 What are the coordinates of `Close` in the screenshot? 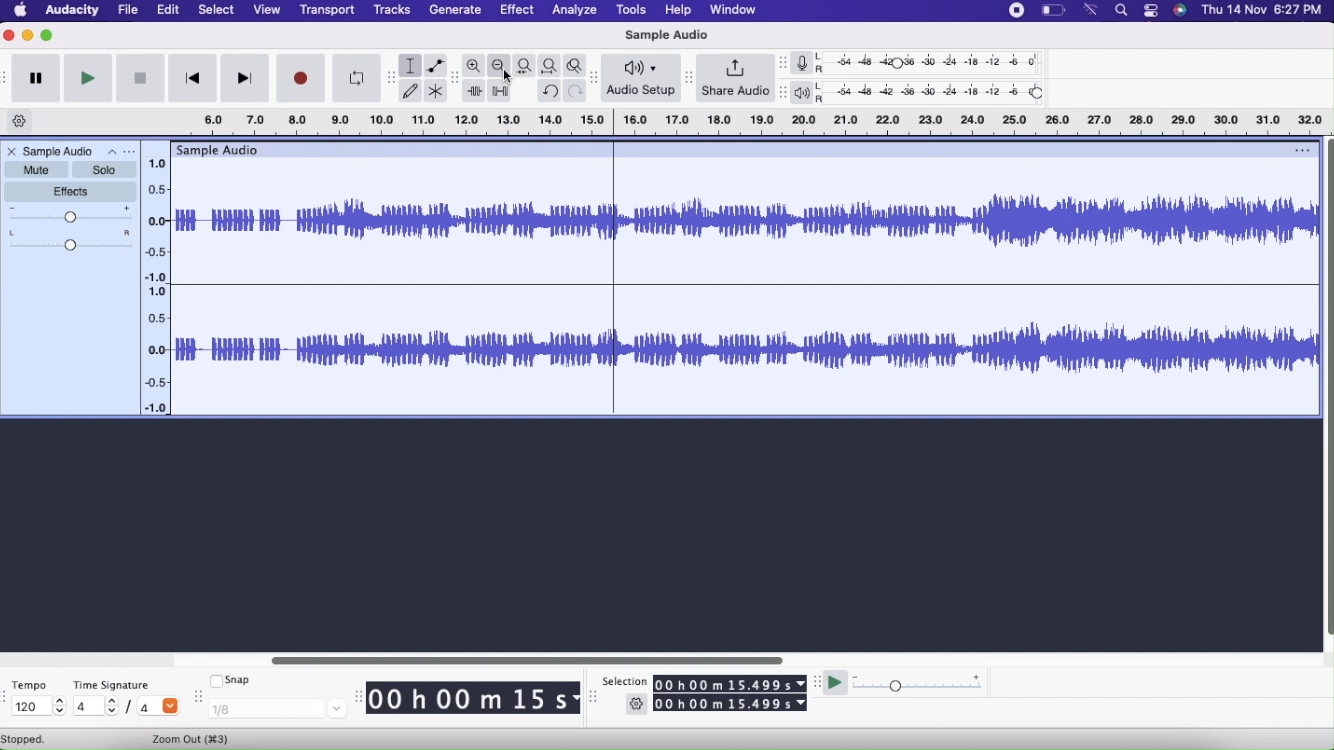 It's located at (11, 152).